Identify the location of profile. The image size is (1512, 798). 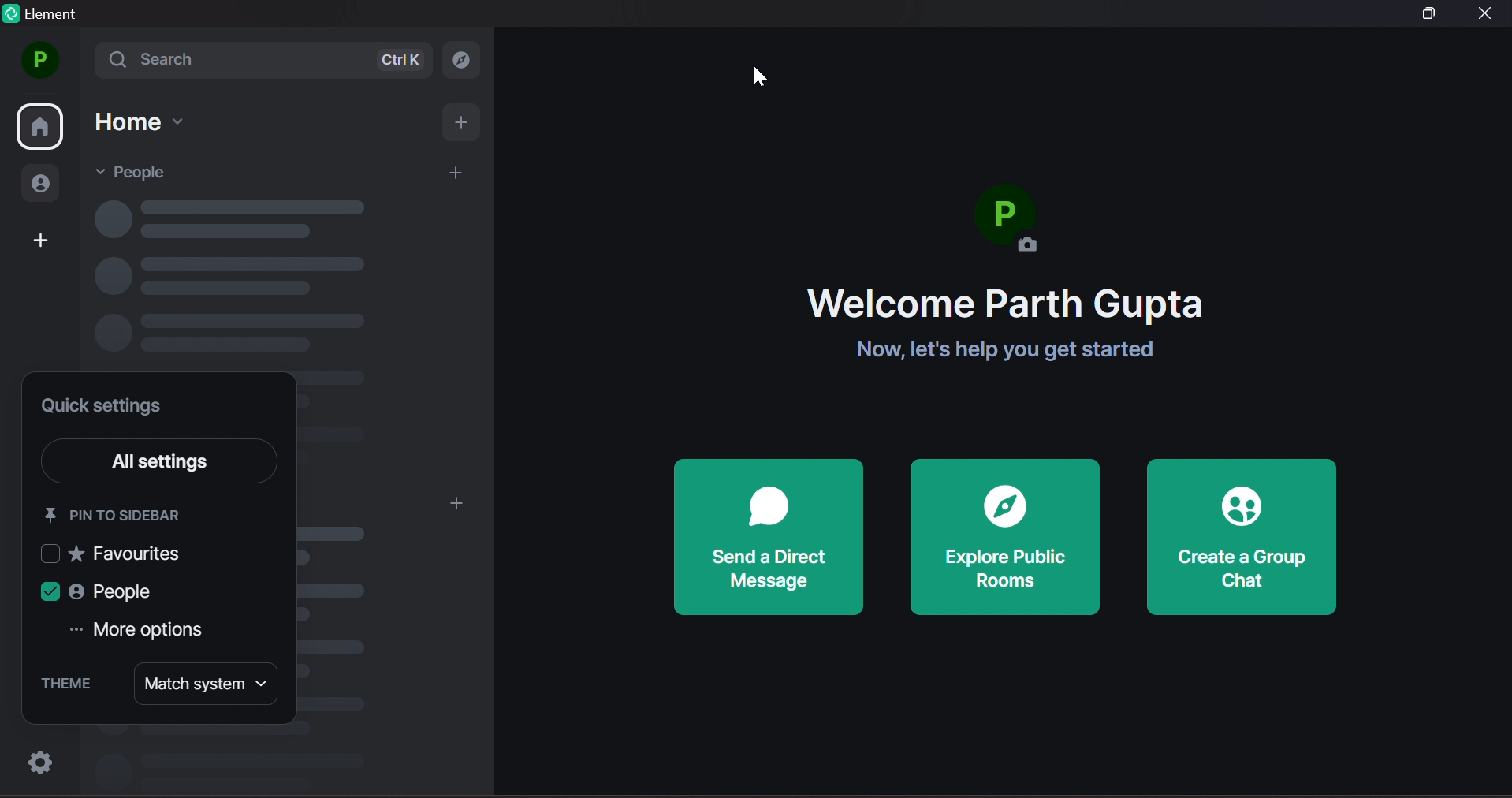
(39, 60).